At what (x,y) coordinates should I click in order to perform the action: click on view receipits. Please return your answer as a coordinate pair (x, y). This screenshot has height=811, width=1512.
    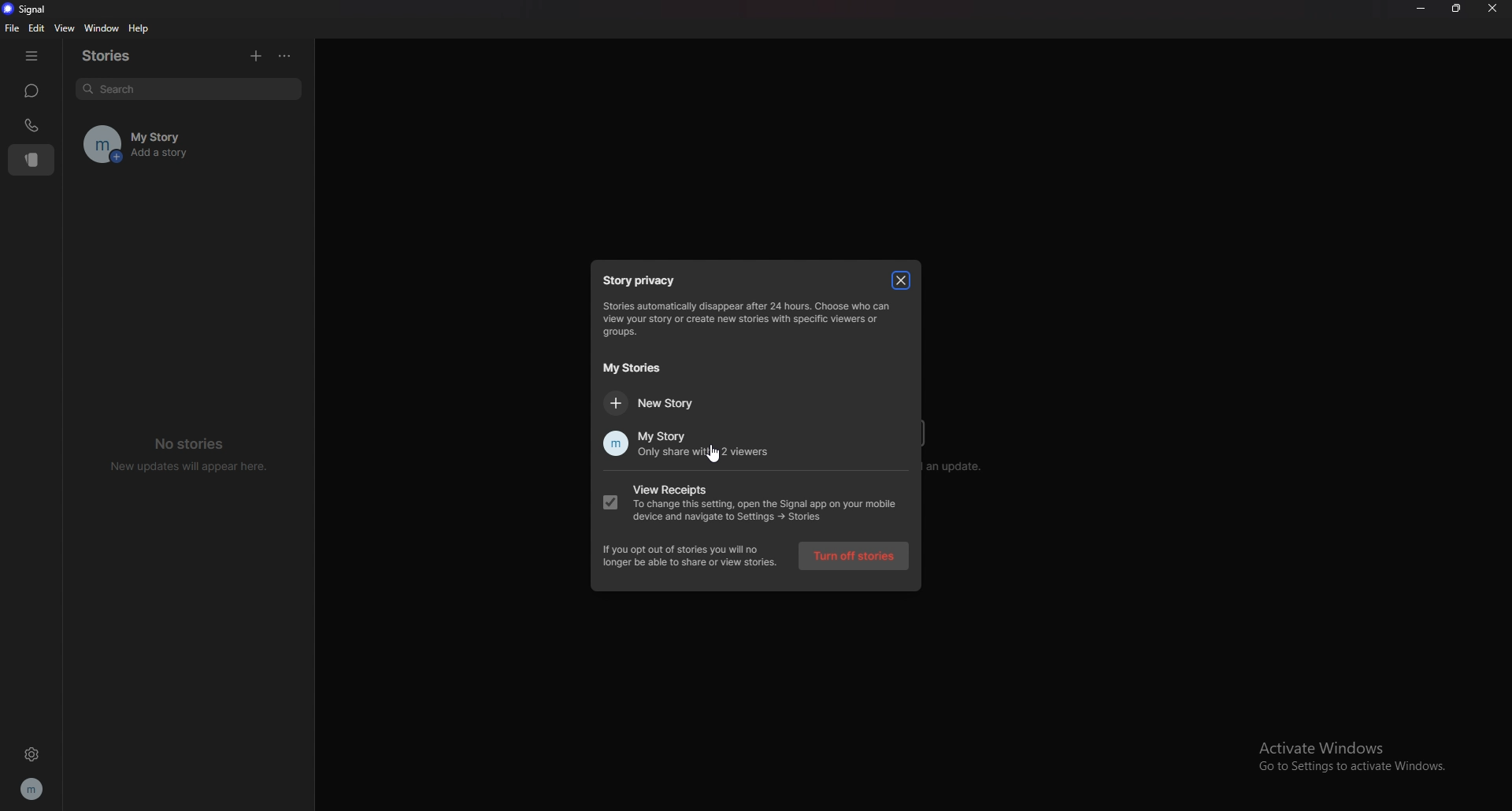
    Looking at the image, I should click on (721, 487).